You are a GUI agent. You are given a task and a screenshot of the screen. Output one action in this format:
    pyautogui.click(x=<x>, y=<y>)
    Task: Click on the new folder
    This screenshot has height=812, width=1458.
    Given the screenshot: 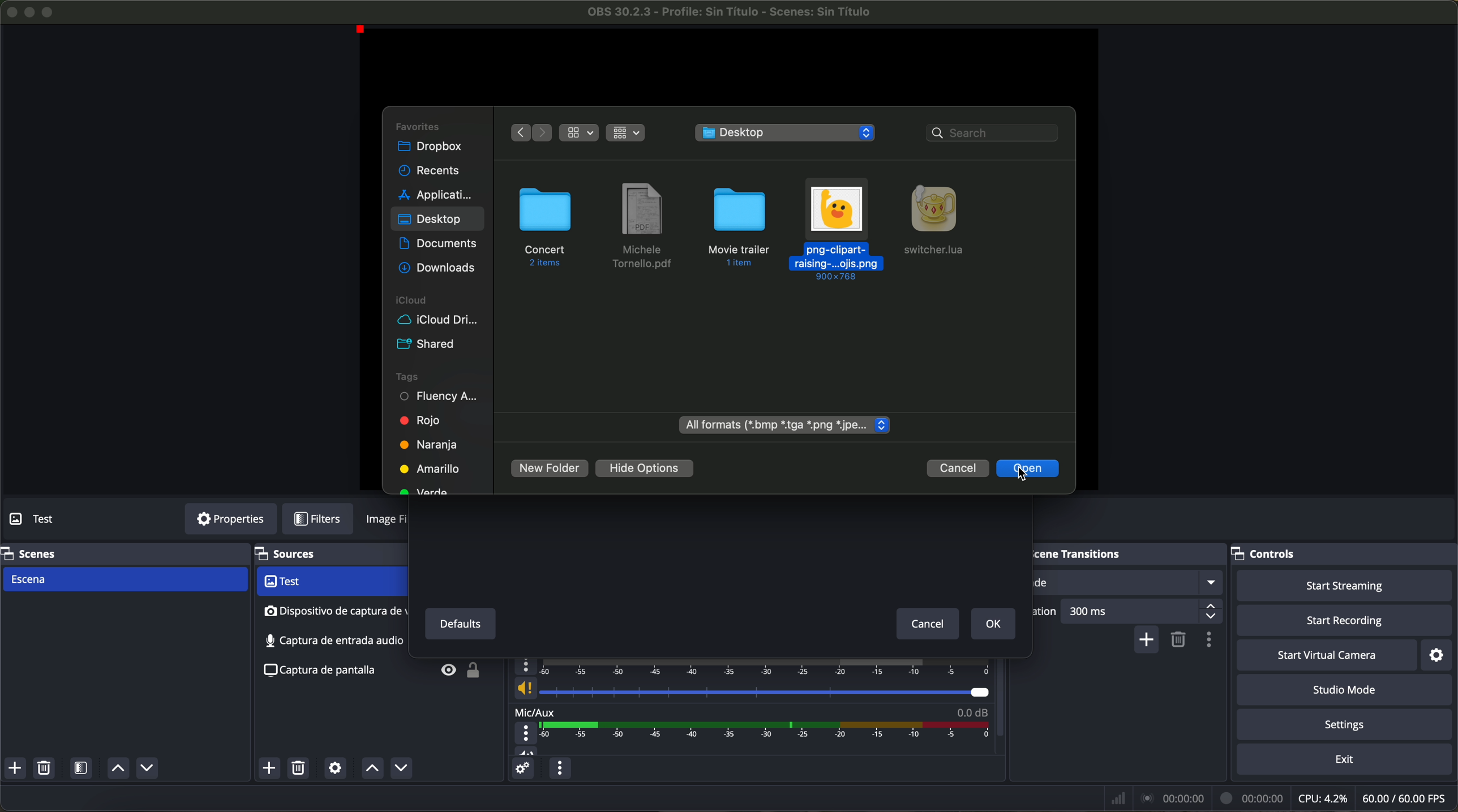 What is the action you would take?
    pyautogui.click(x=550, y=469)
    